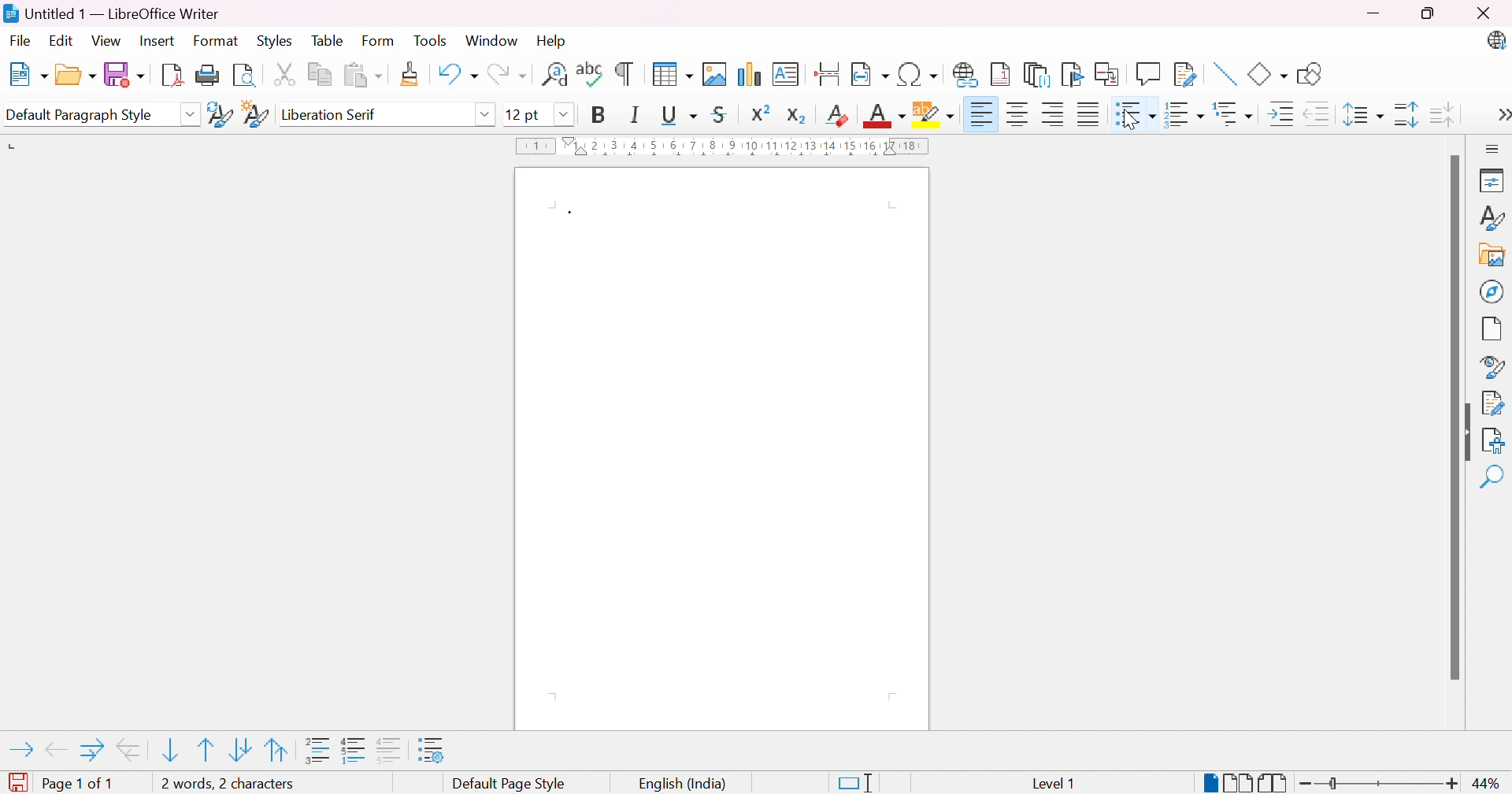 The height and width of the screenshot is (794, 1512). Describe the element at coordinates (788, 74) in the screenshot. I see `Insert text box` at that location.